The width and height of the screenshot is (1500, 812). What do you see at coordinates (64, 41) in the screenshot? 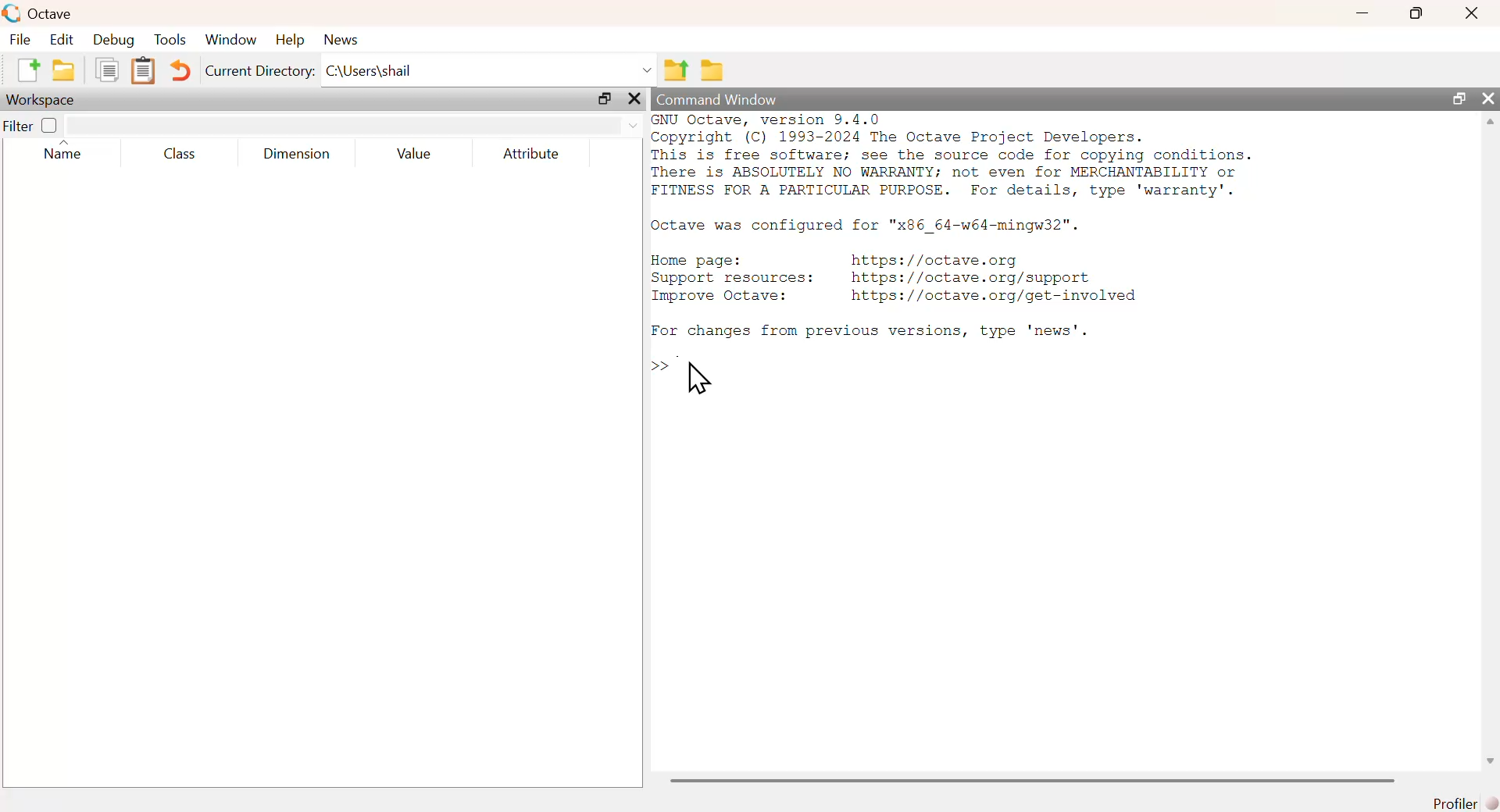
I see `edit` at bounding box center [64, 41].